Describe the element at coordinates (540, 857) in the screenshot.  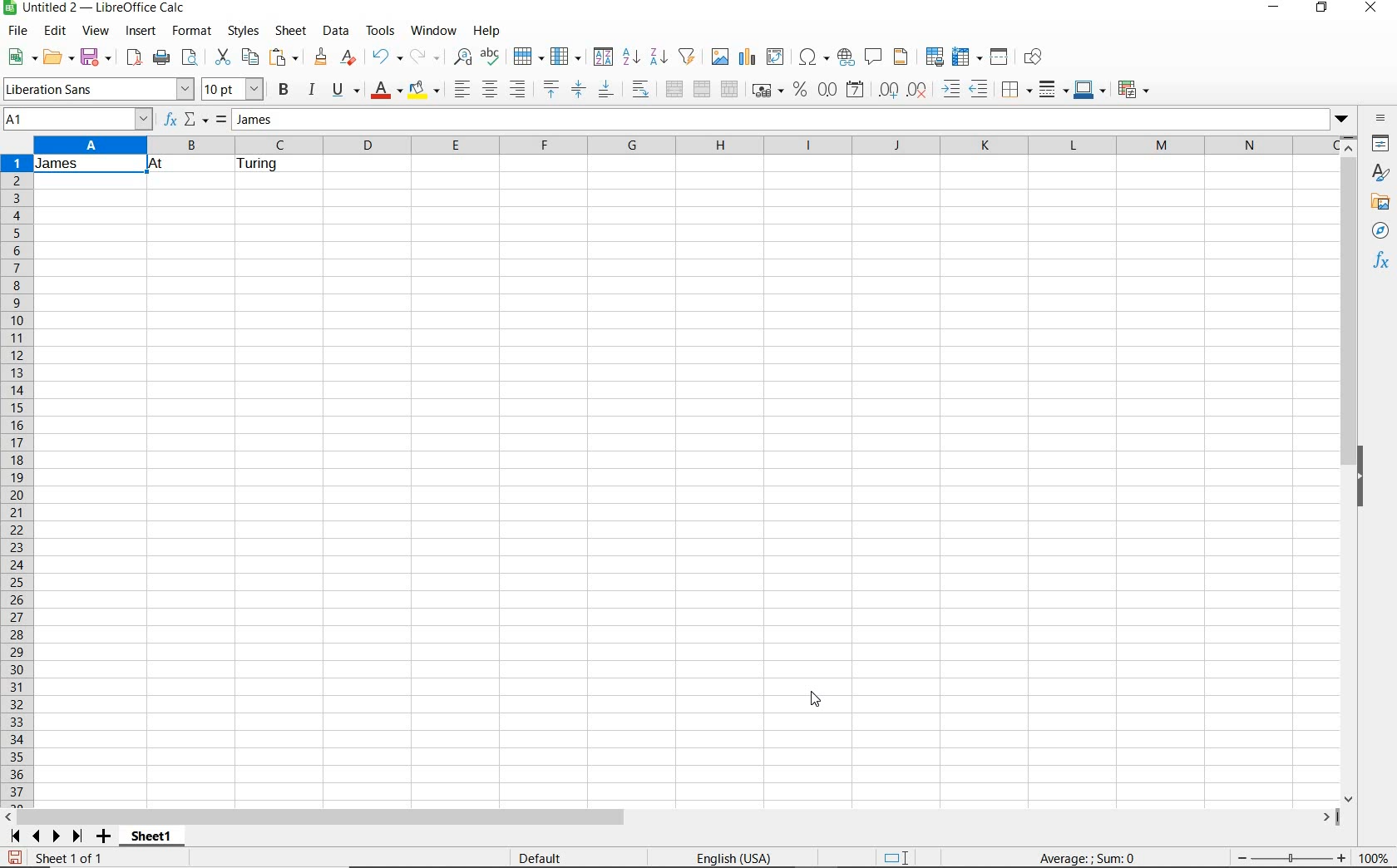
I see `default` at that location.